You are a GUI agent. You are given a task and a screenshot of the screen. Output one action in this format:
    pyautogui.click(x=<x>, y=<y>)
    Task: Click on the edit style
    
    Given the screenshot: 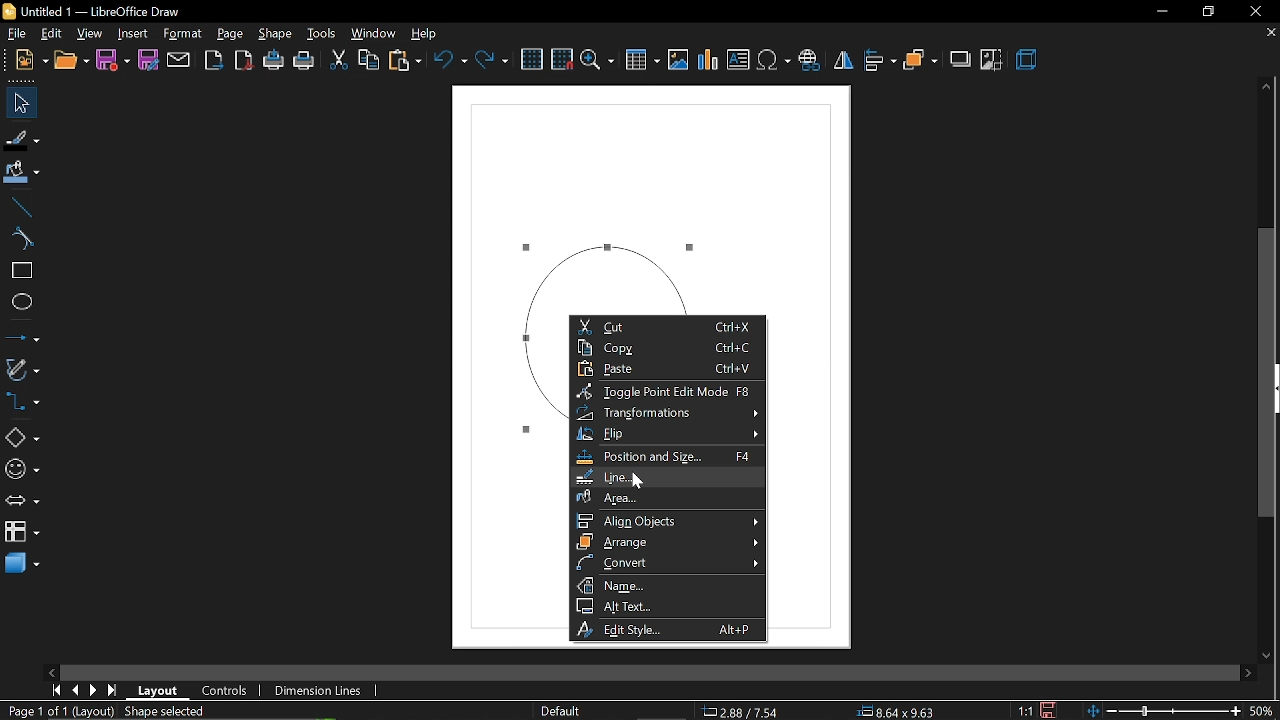 What is the action you would take?
    pyautogui.click(x=670, y=631)
    